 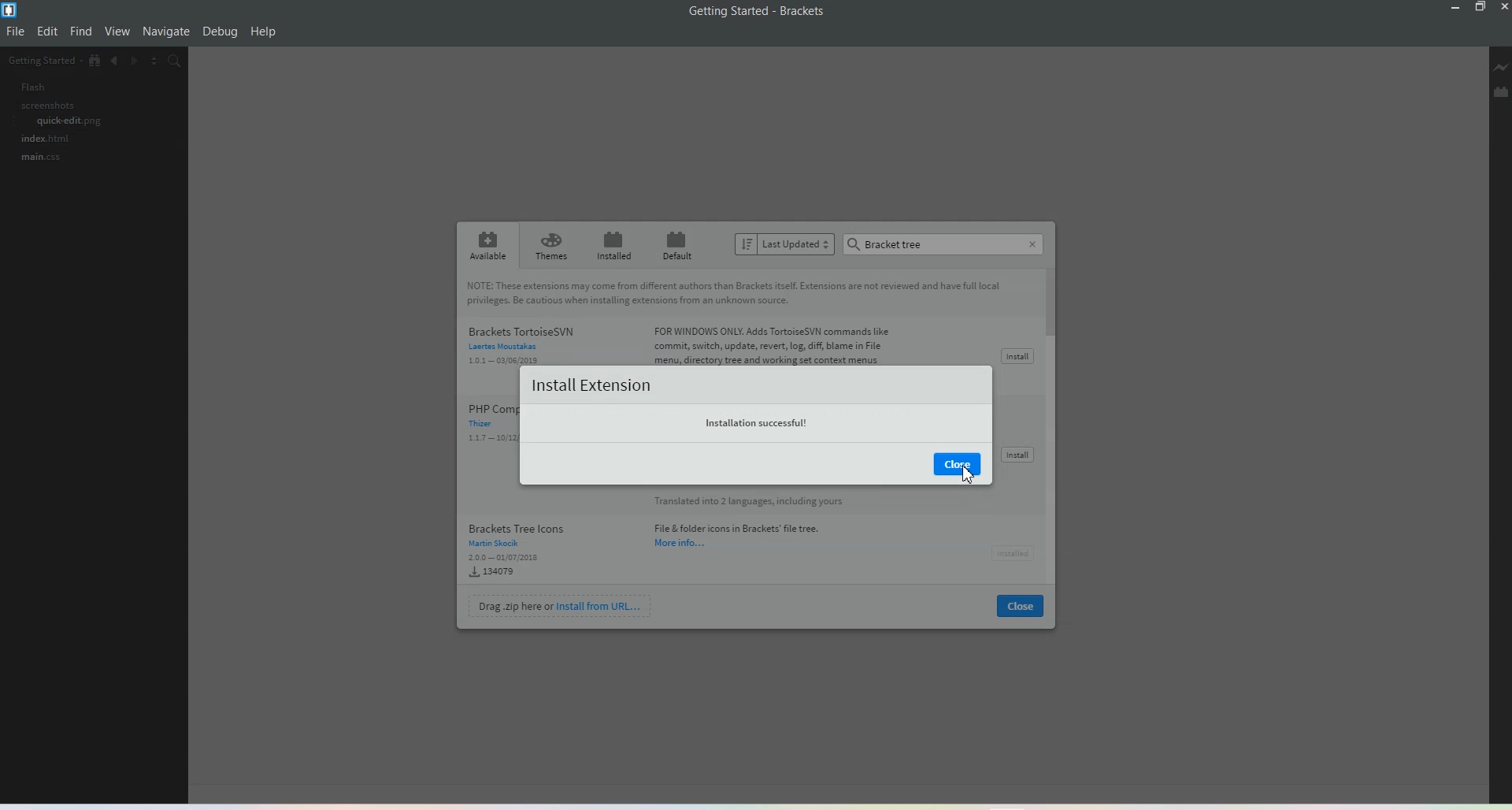 I want to click on Brackets TortoiseSVN, so click(x=685, y=341).